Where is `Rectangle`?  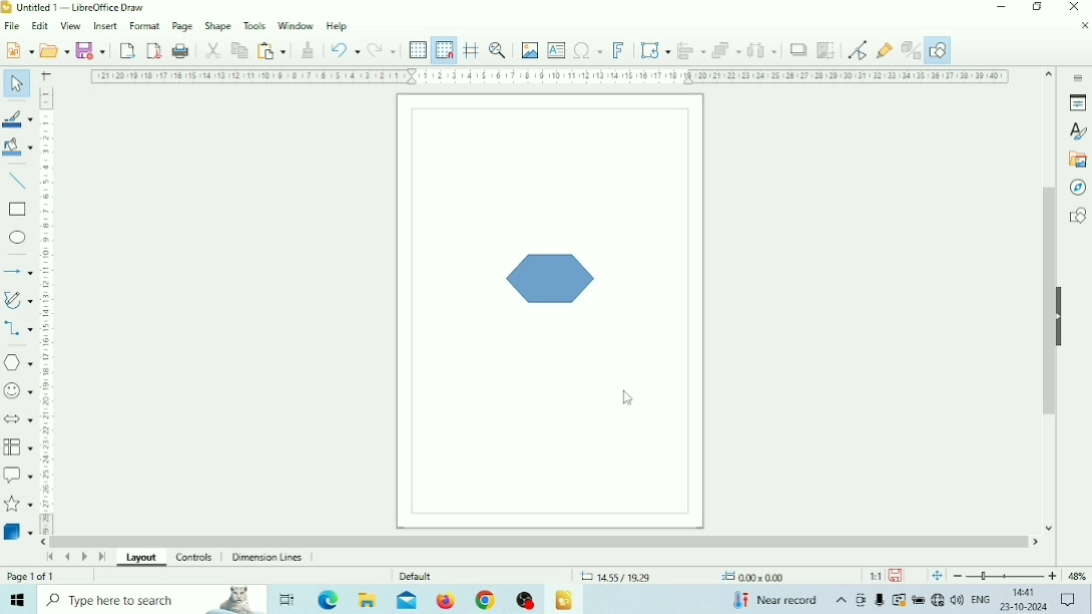
Rectangle is located at coordinates (17, 210).